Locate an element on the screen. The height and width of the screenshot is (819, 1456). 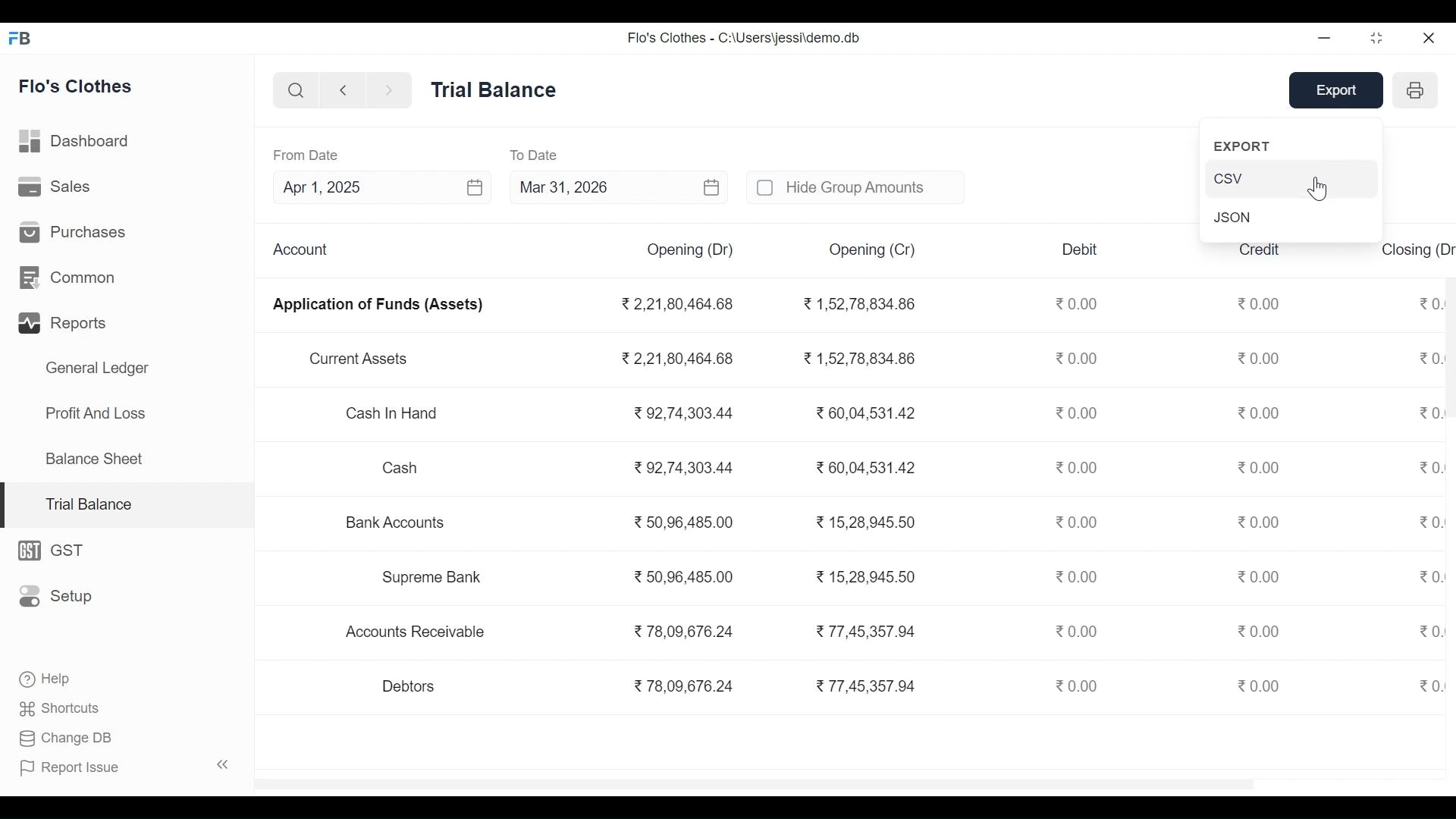
Dashboard is located at coordinates (76, 141).